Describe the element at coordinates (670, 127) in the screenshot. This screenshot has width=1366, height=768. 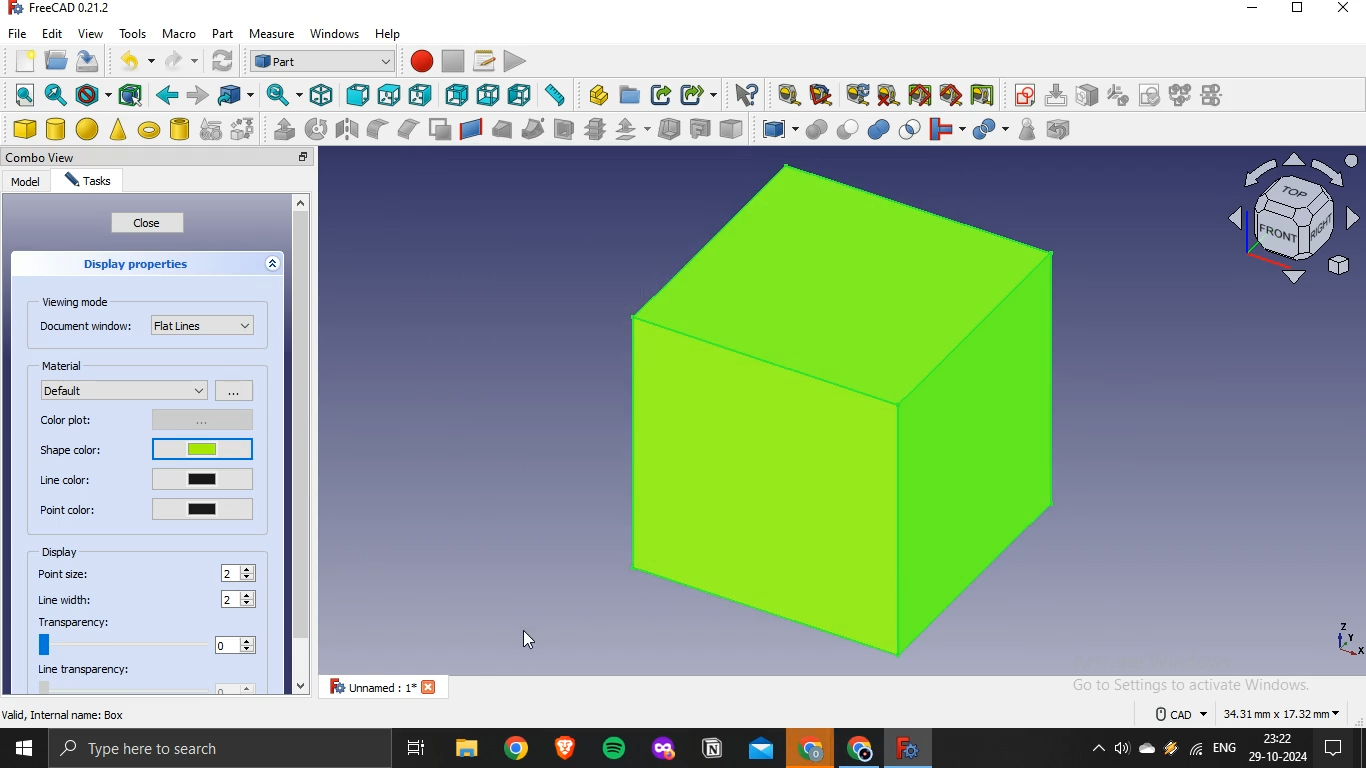
I see `thickness` at that location.